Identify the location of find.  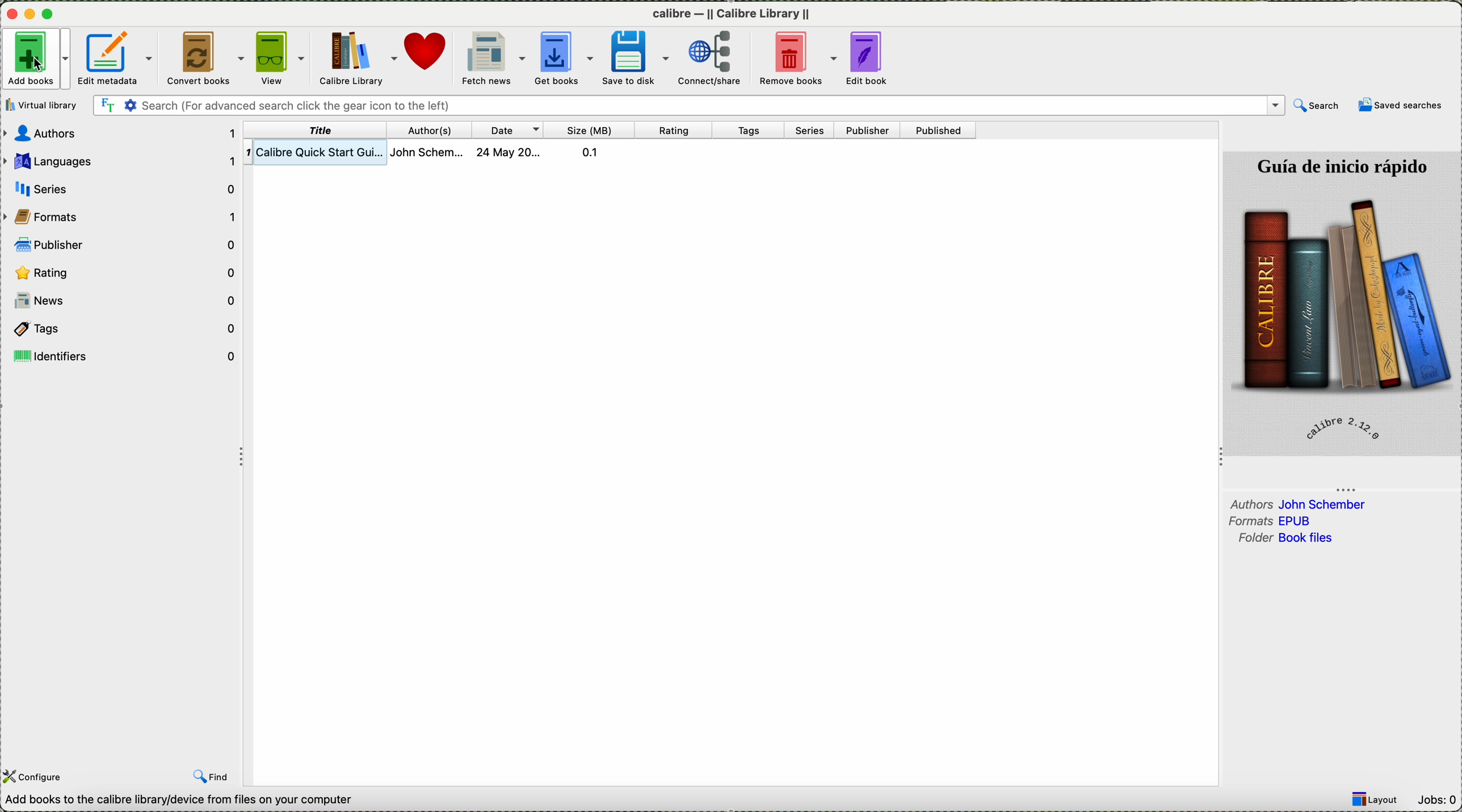
(211, 776).